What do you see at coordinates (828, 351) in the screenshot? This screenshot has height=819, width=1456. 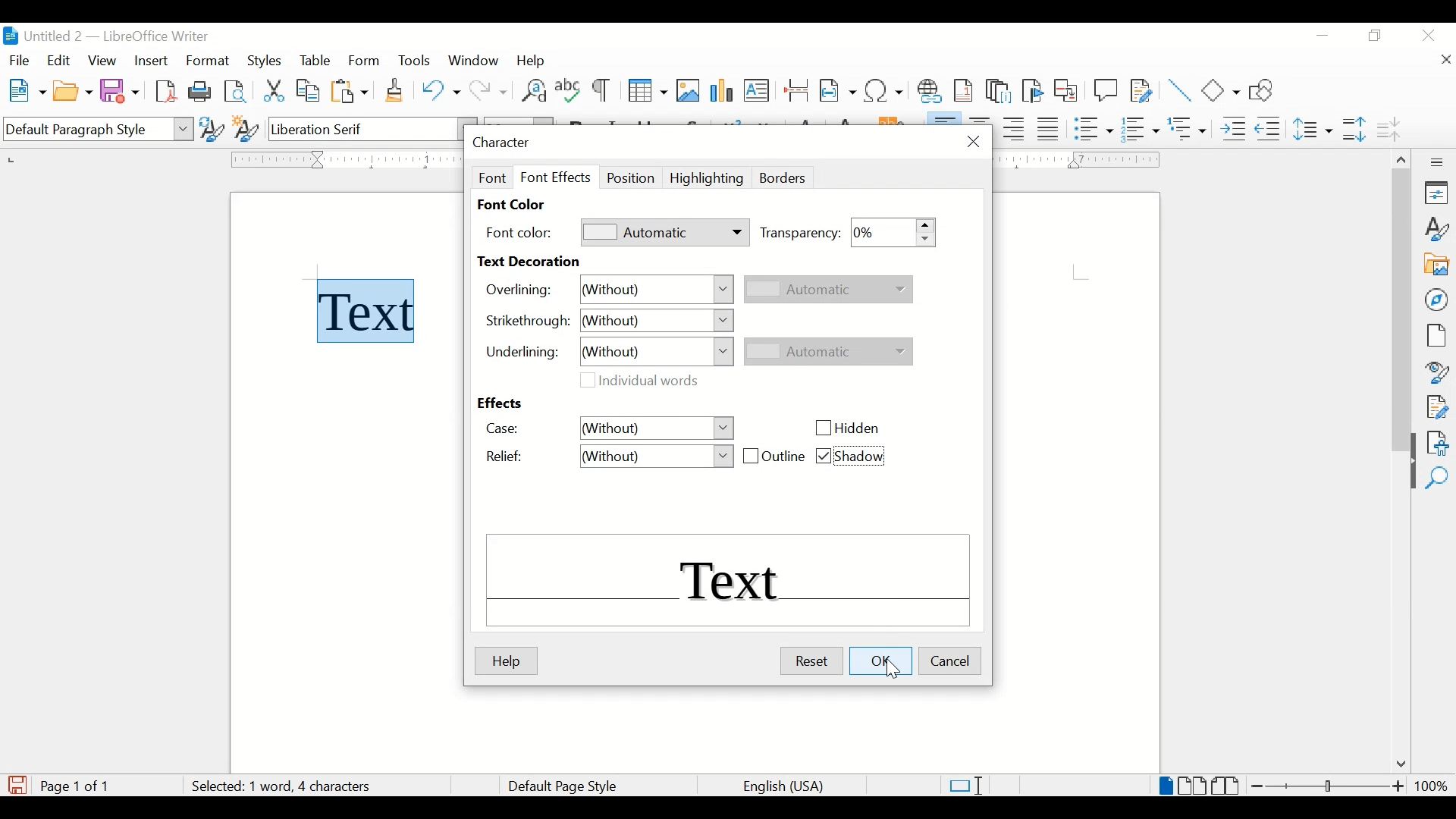 I see `automatic` at bounding box center [828, 351].